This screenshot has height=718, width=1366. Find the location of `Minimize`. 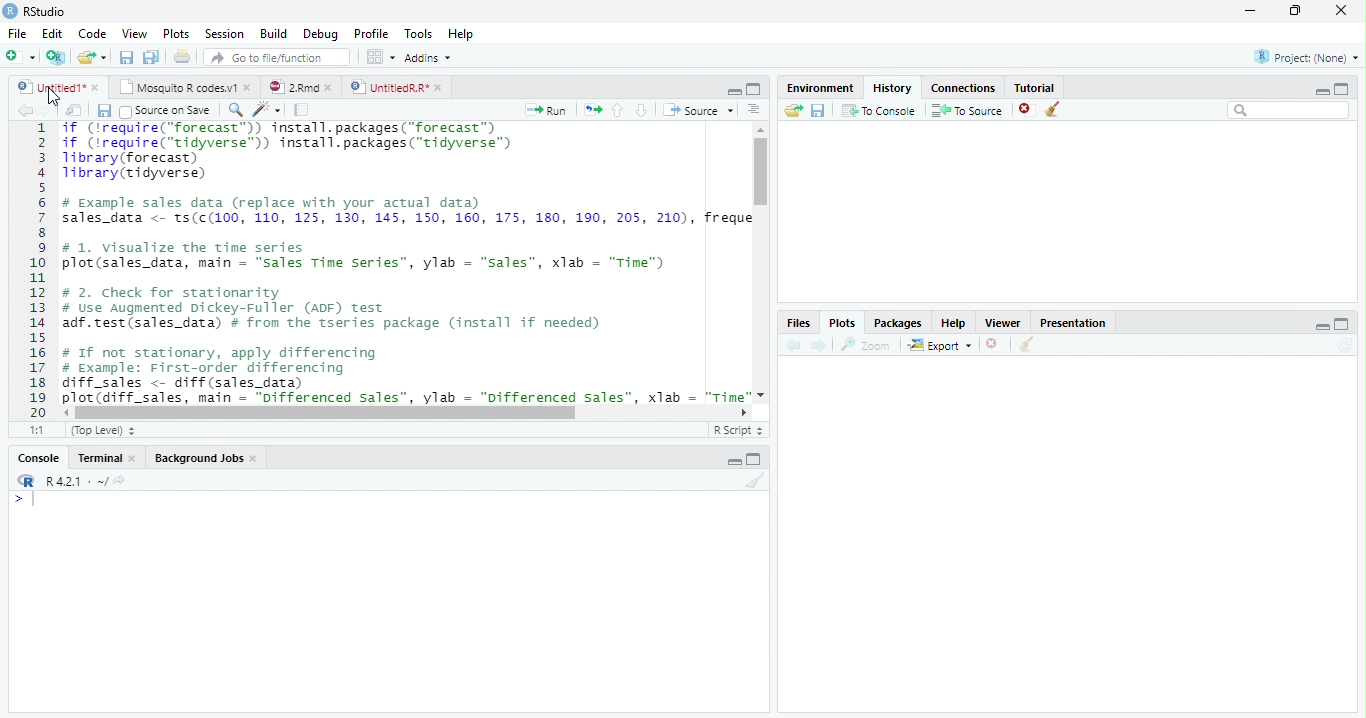

Minimize is located at coordinates (731, 460).